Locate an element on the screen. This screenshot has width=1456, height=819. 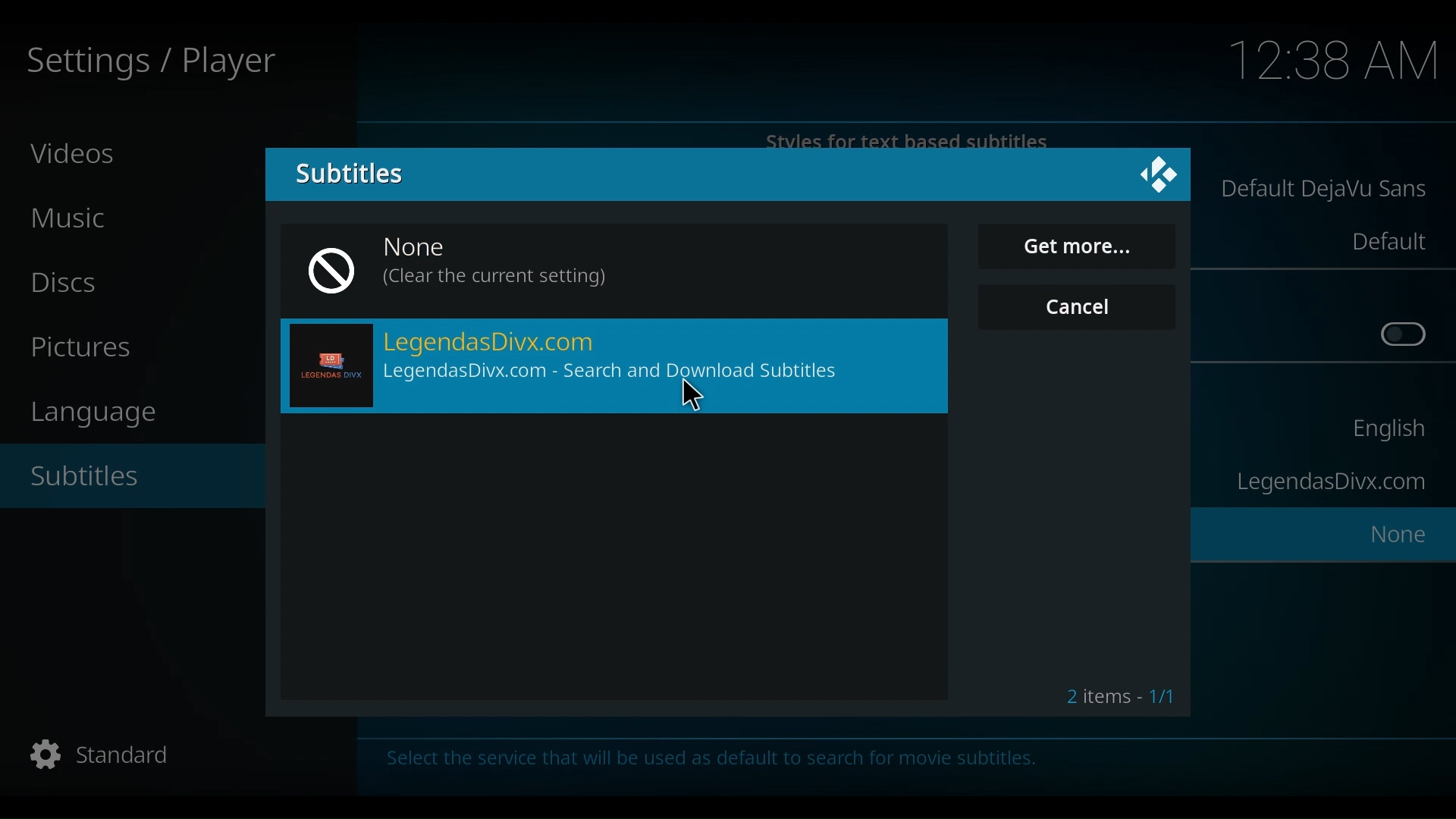
block is located at coordinates (331, 267).